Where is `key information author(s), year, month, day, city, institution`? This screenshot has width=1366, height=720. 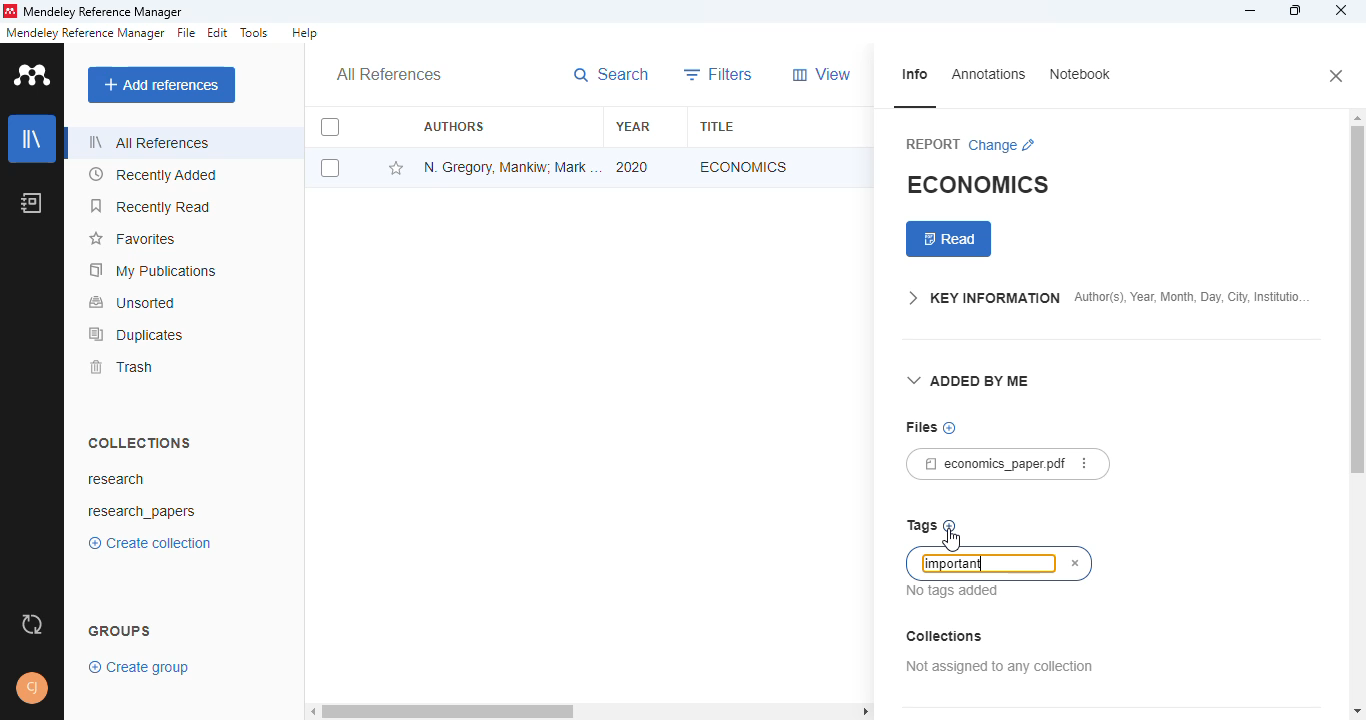
key information author(s), year, month, day, city, institution is located at coordinates (1108, 300).